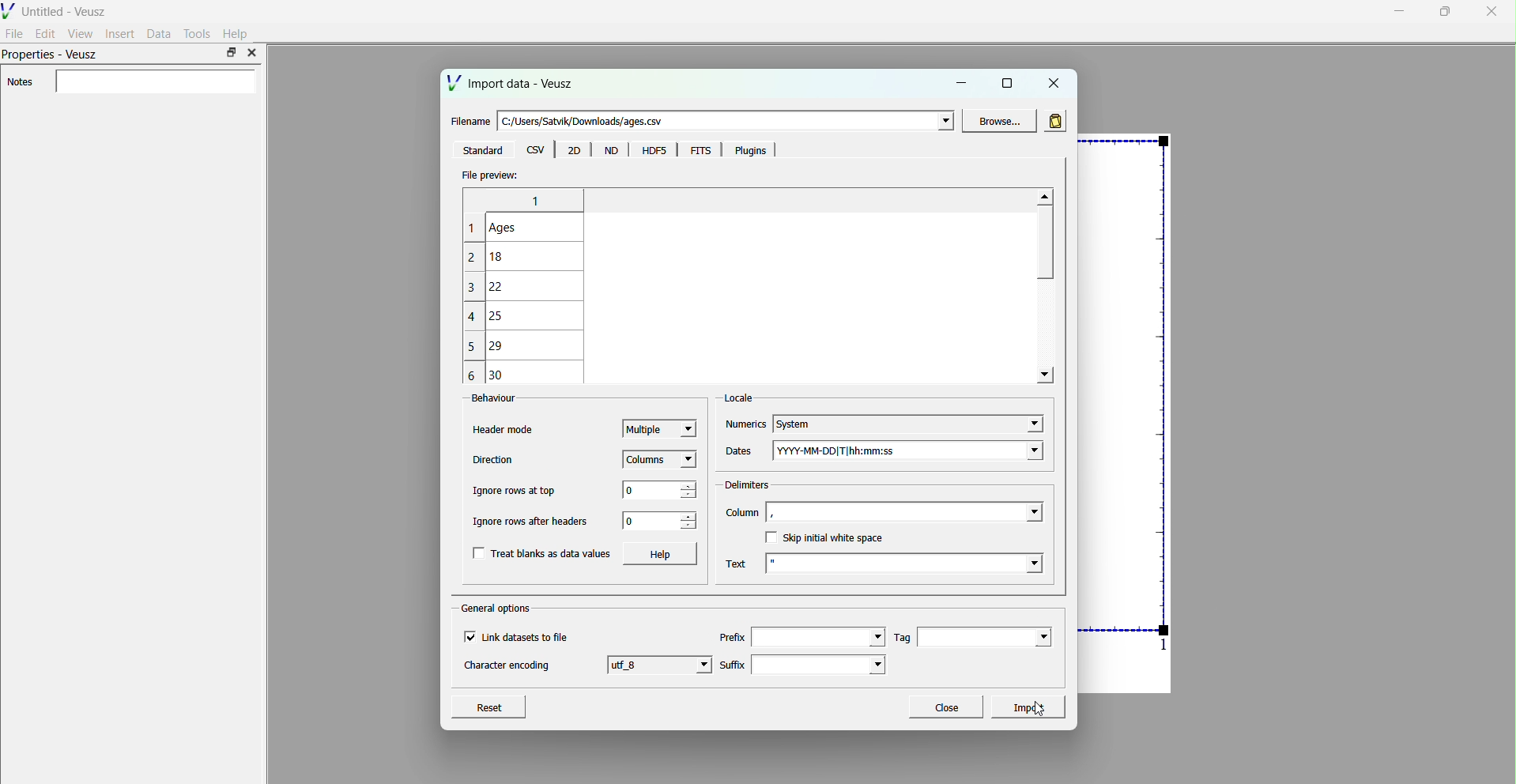  I want to click on Plugins, so click(752, 151).